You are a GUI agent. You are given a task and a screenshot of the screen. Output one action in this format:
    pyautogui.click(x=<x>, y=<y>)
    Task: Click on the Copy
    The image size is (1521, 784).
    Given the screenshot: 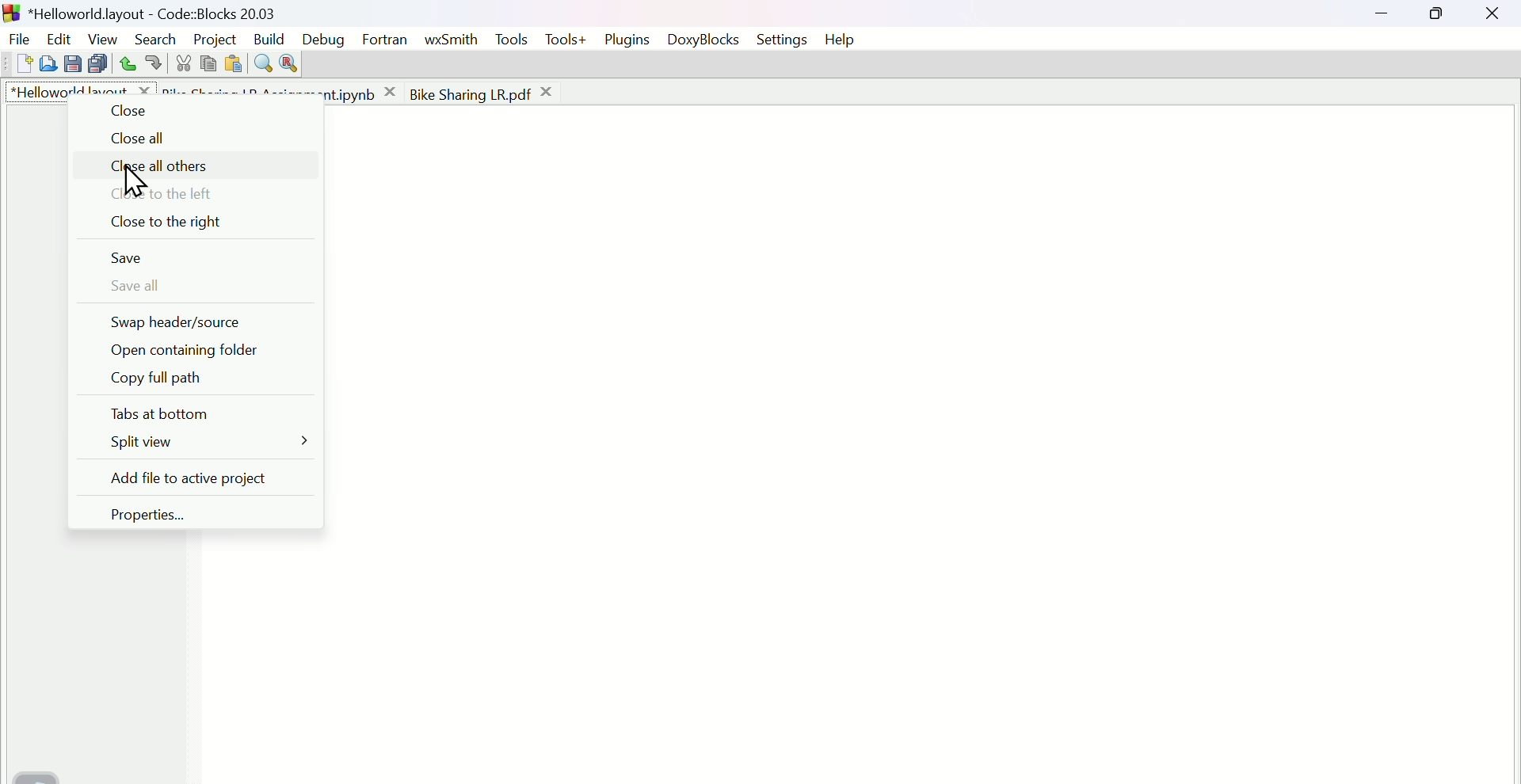 What is the action you would take?
    pyautogui.click(x=208, y=62)
    